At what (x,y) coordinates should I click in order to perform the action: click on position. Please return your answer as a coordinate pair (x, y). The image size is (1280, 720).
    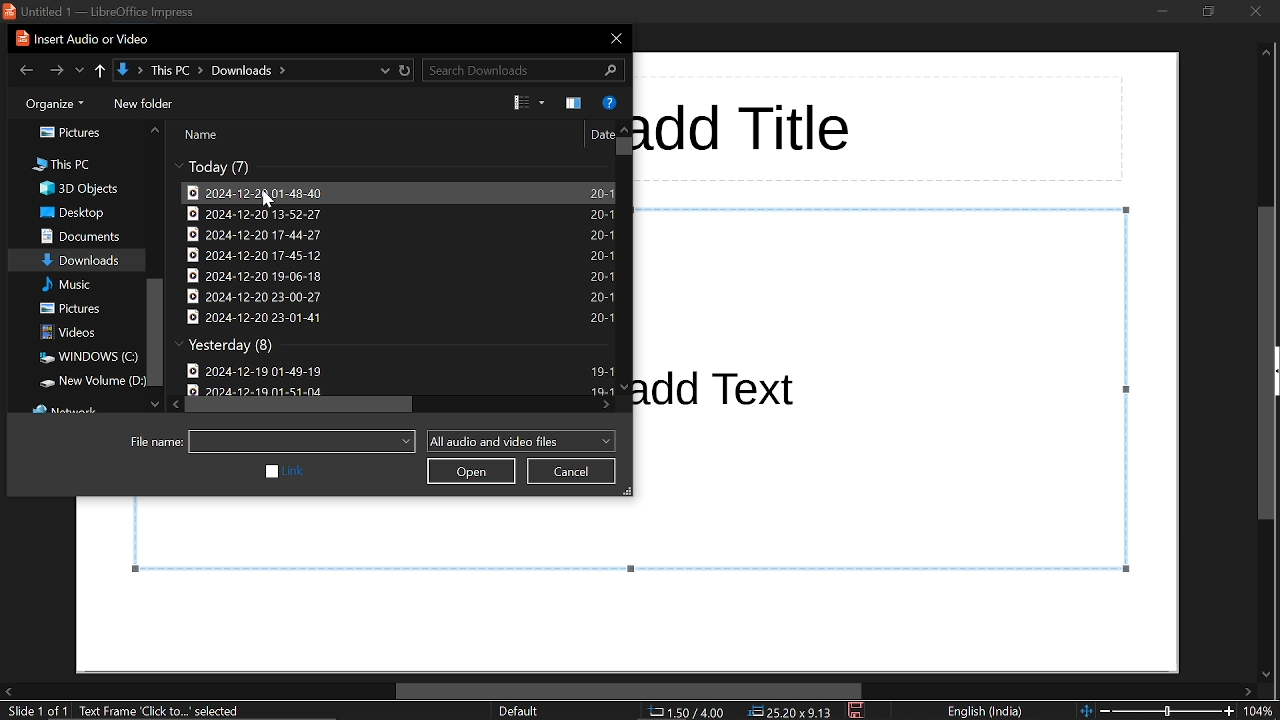
    Looking at the image, I should click on (791, 711).